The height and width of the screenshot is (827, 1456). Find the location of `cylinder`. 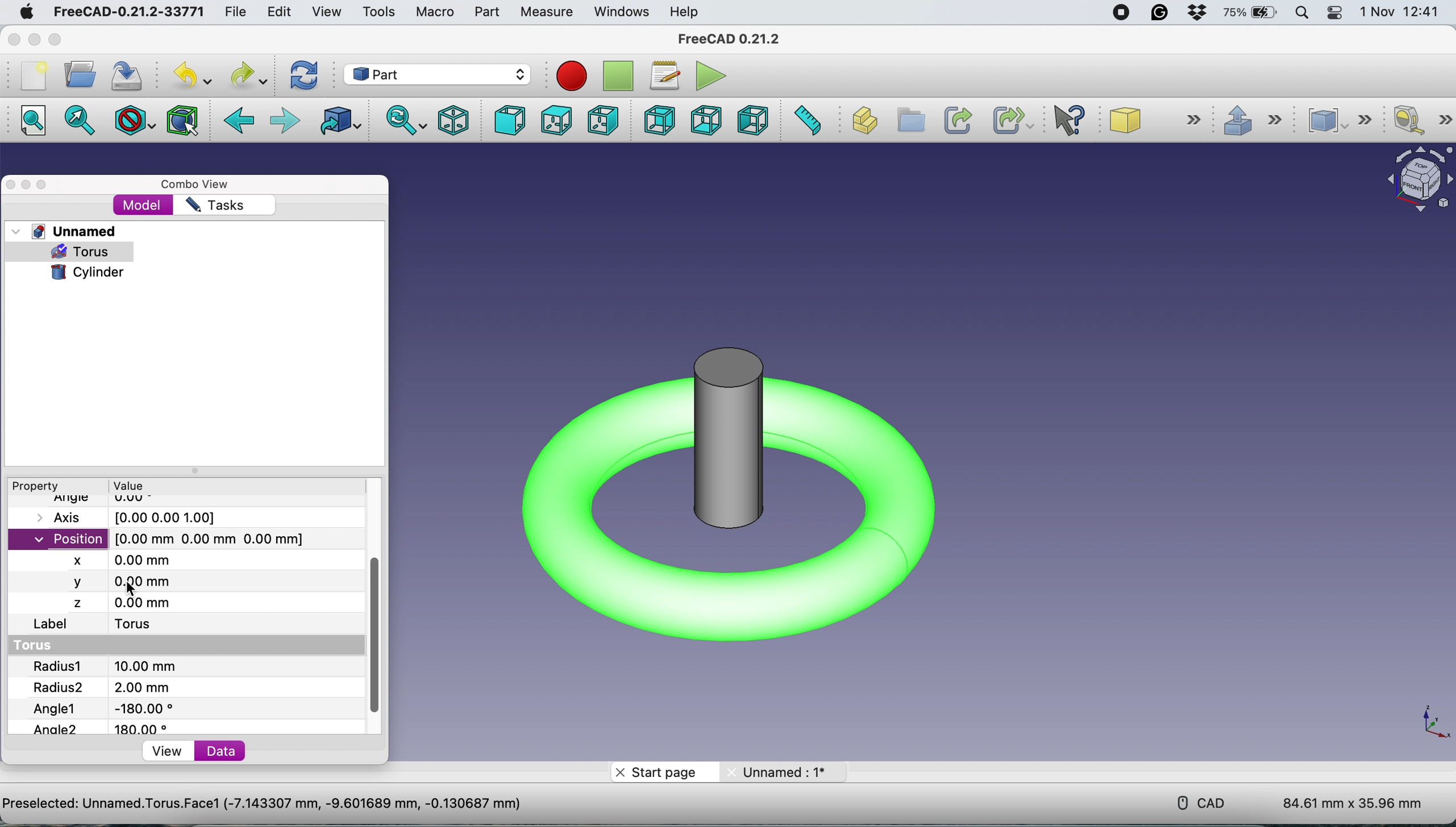

cylinder is located at coordinates (88, 273).